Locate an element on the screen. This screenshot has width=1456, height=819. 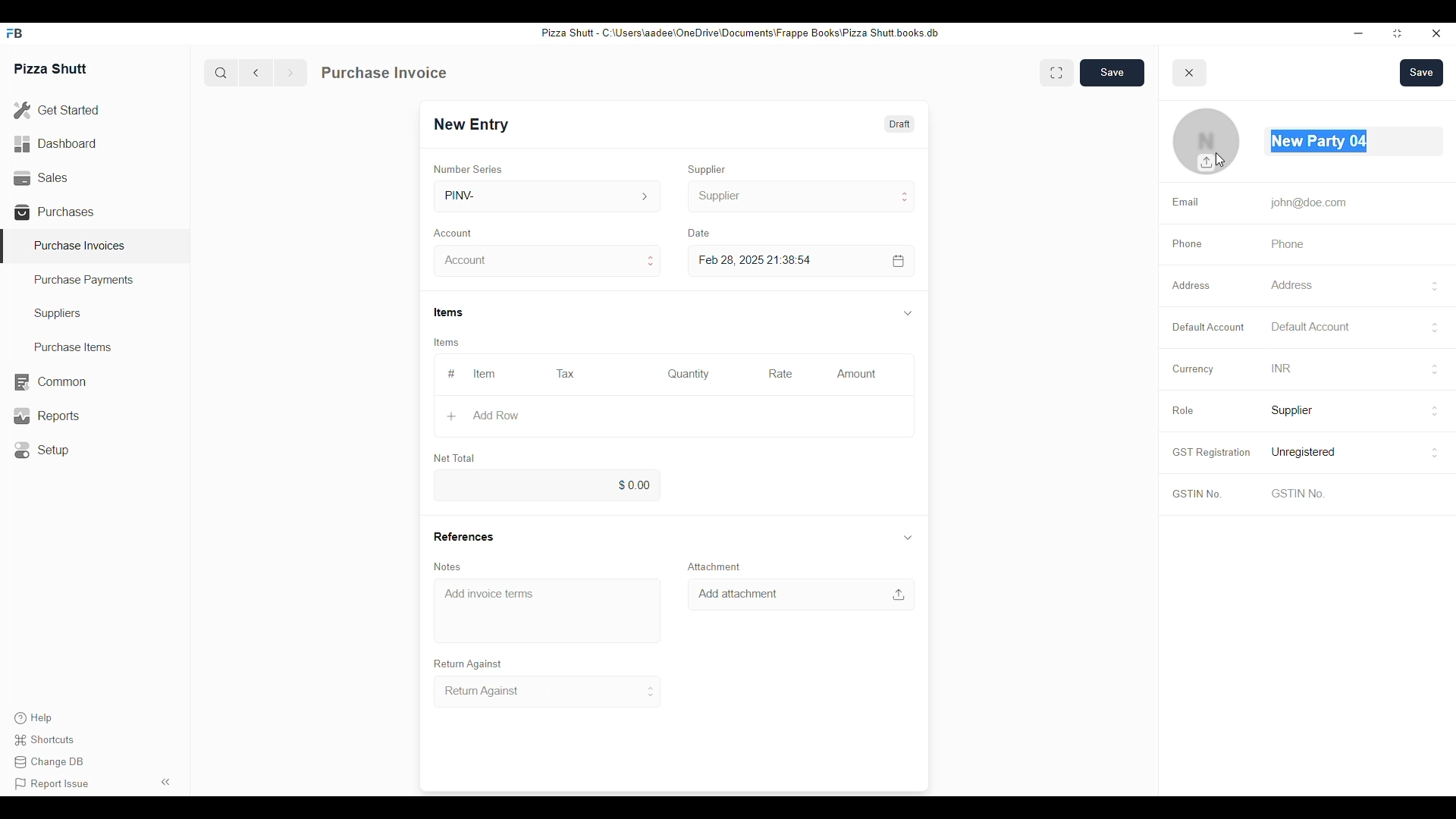
Notes is located at coordinates (450, 566).